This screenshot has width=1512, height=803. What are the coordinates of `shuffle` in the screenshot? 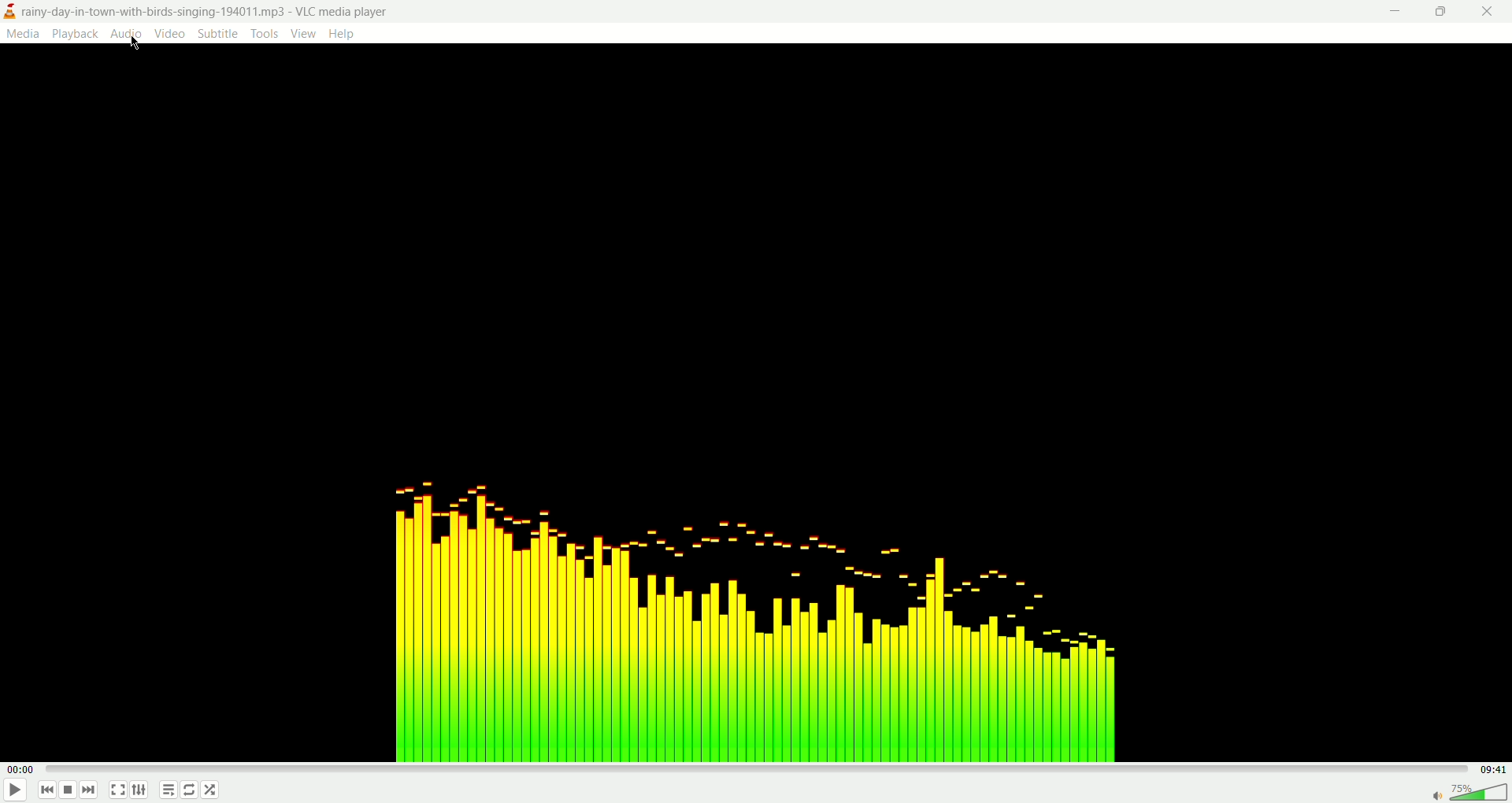 It's located at (209, 789).